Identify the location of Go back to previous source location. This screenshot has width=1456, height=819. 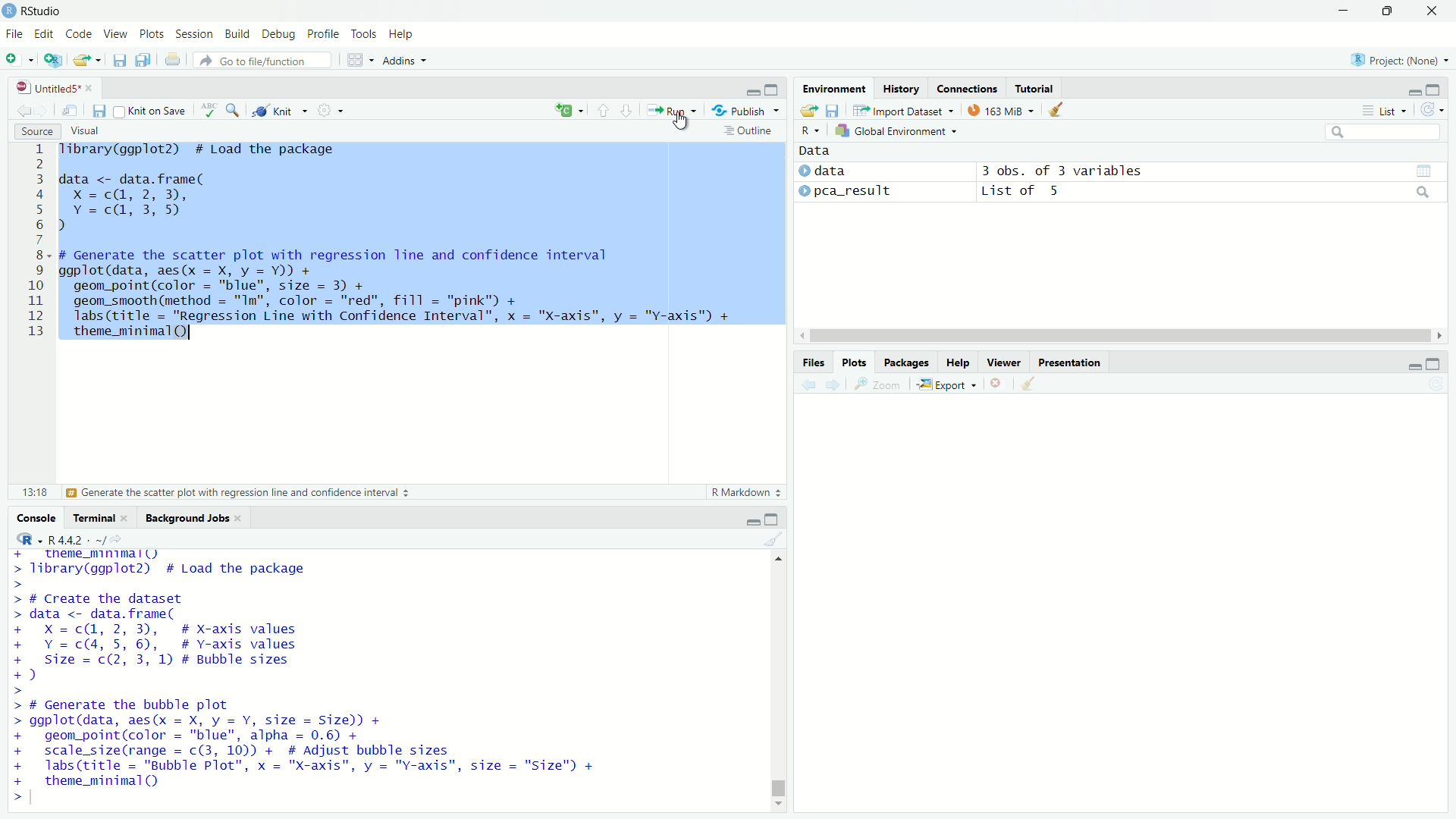
(24, 111).